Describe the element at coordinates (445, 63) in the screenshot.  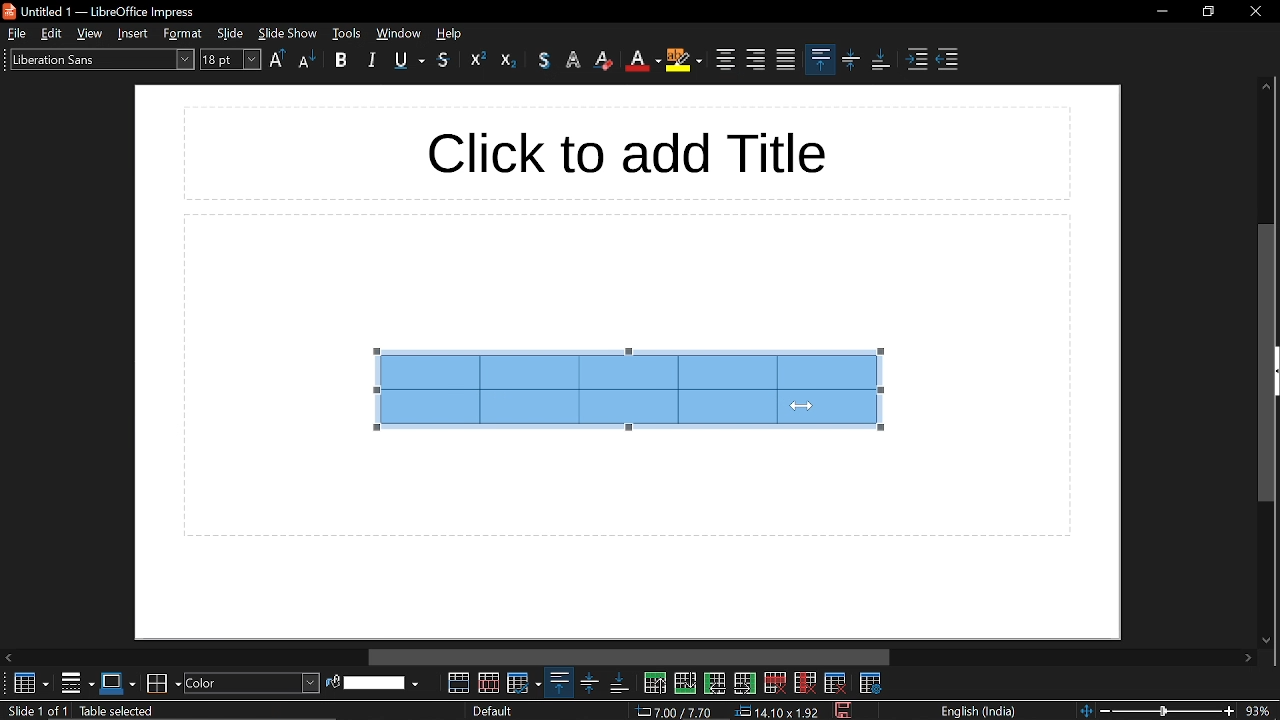
I see `strikethrough` at that location.